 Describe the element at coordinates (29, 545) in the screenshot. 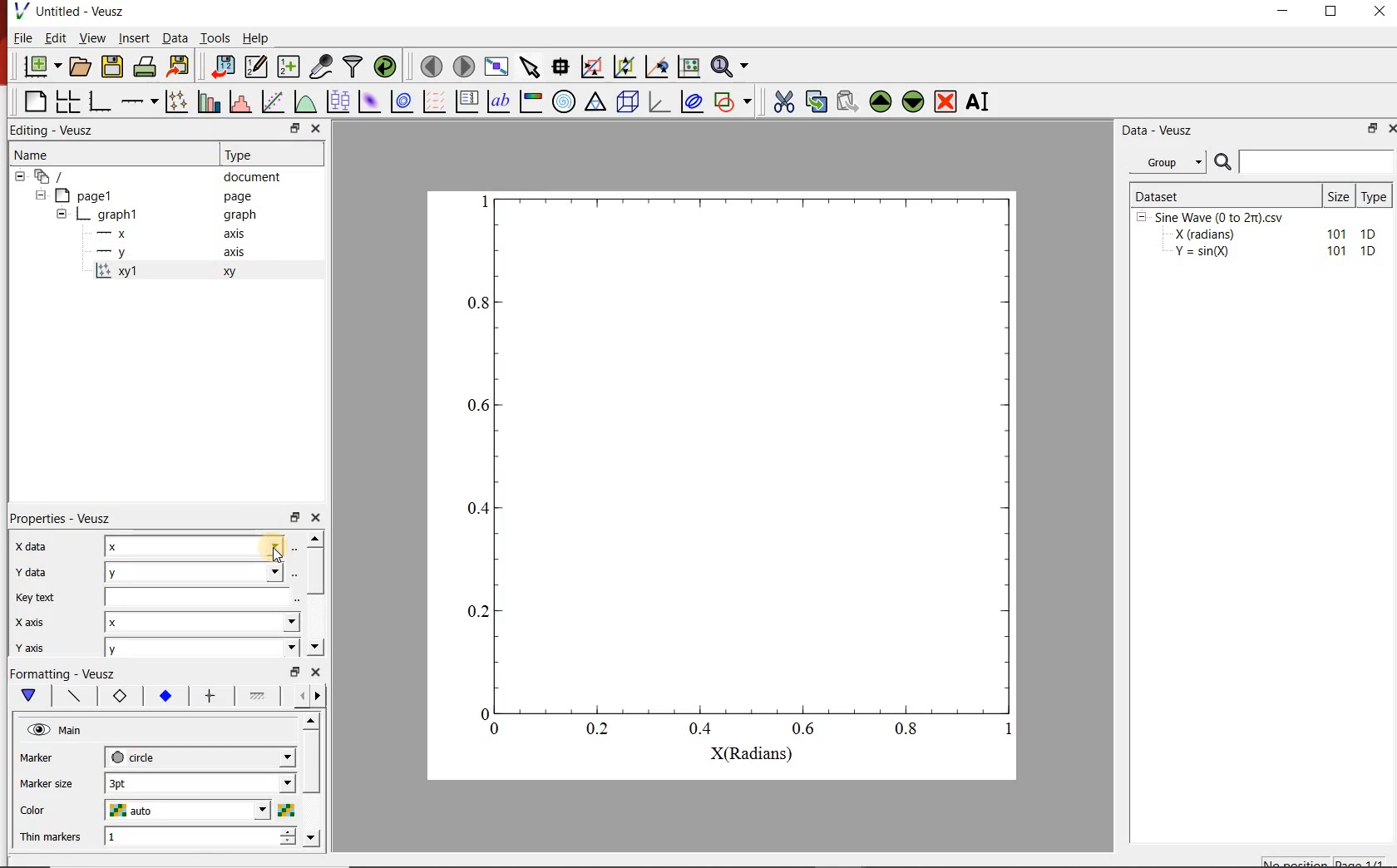

I see `Label` at that location.